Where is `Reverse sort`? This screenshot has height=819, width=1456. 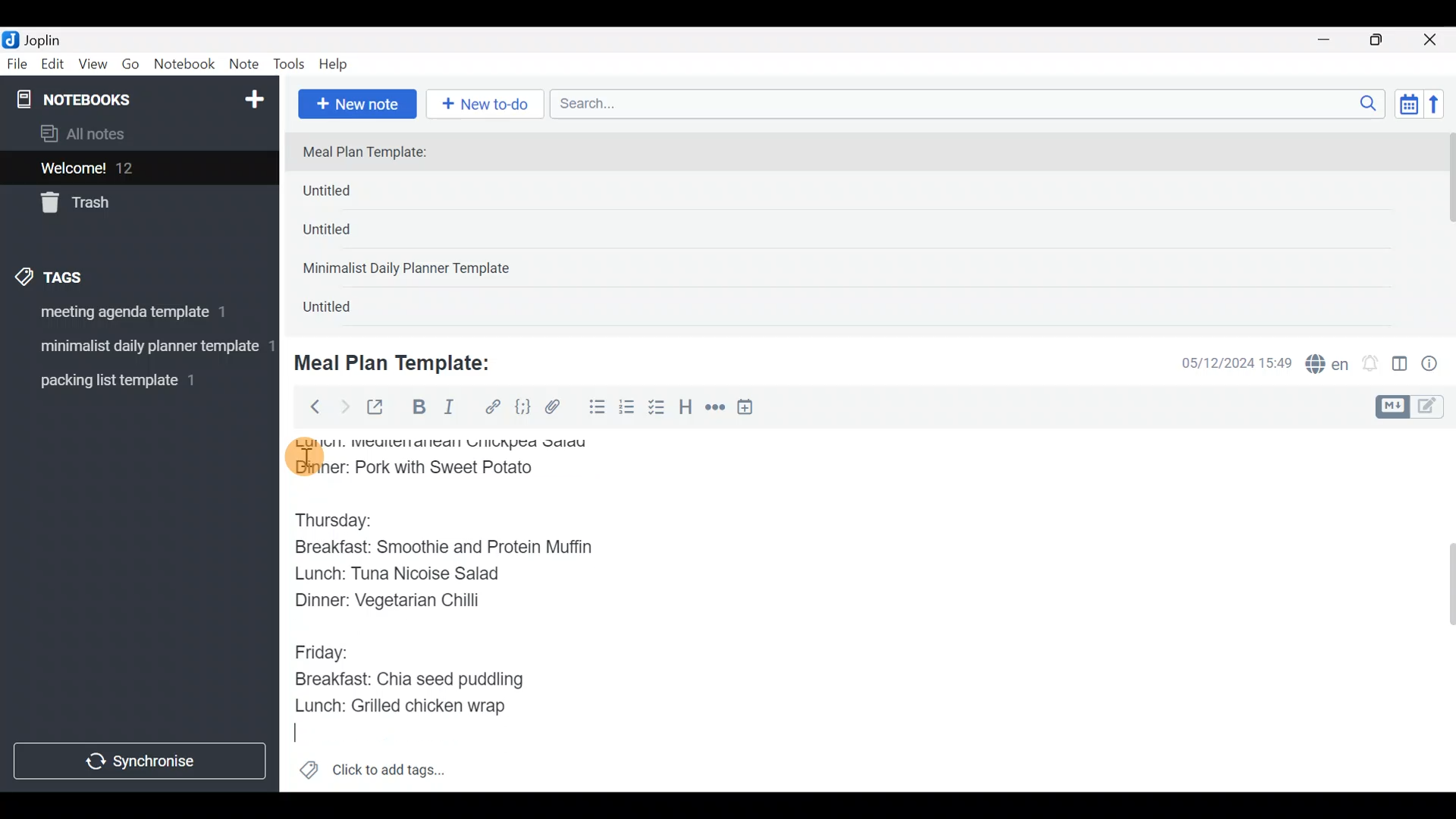 Reverse sort is located at coordinates (1442, 108).